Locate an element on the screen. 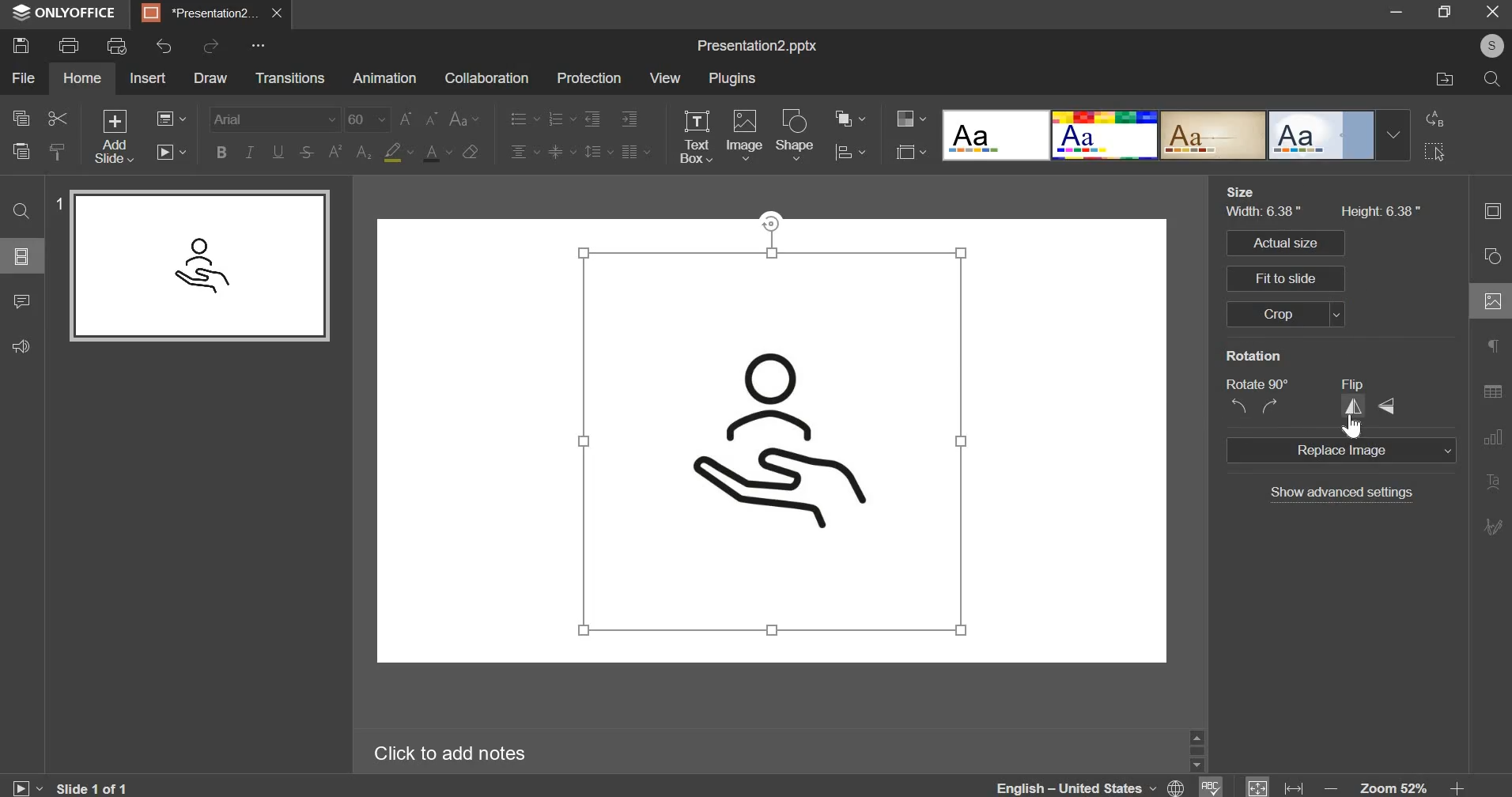  text color is located at coordinates (437, 153).